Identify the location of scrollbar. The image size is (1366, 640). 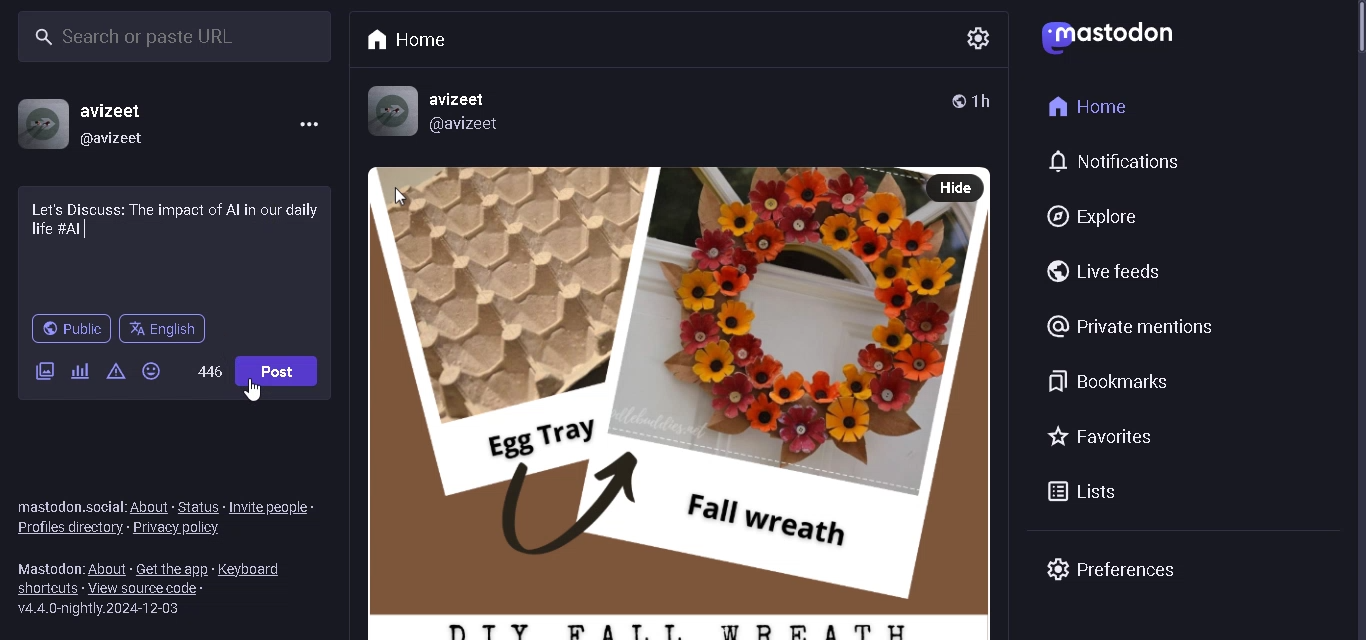
(1339, 36).